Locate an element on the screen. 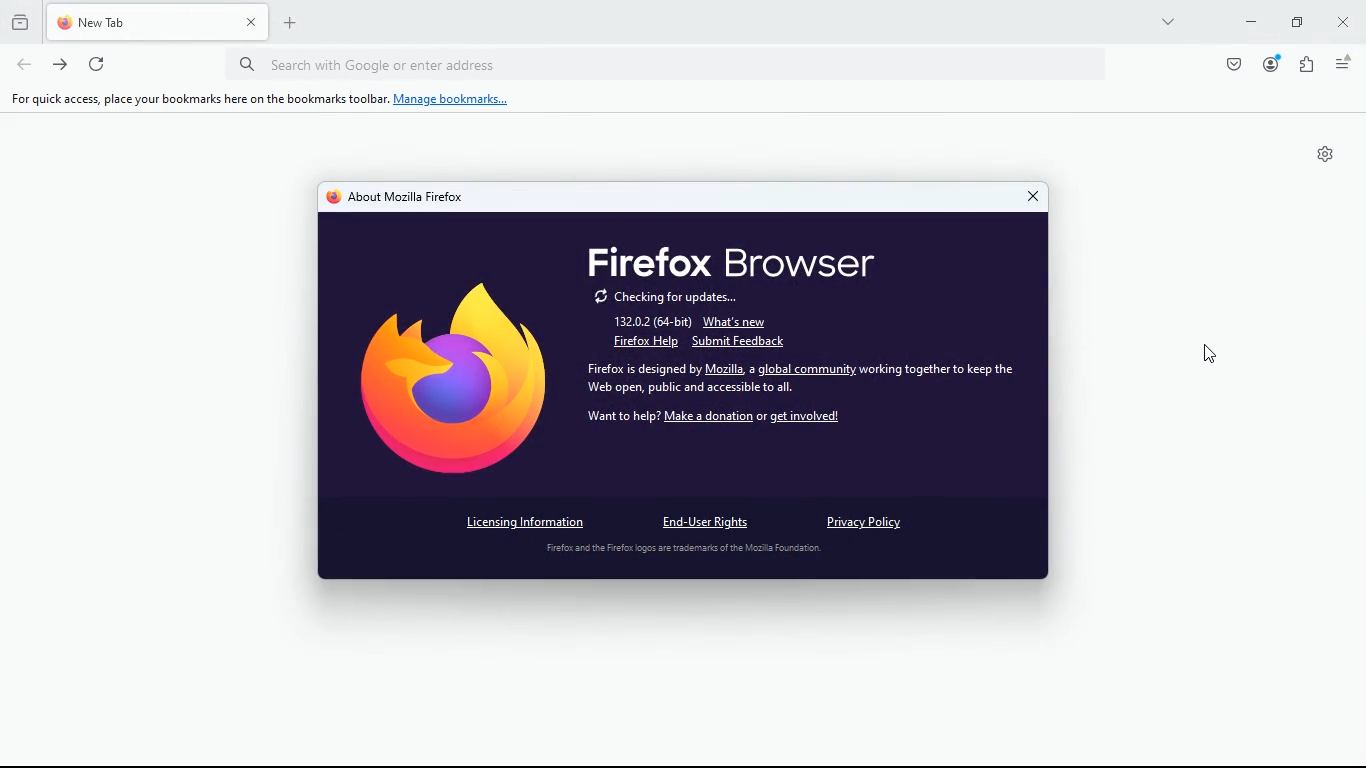 The height and width of the screenshot is (768, 1366). 132.0.2 (64-bit) is located at coordinates (653, 320).